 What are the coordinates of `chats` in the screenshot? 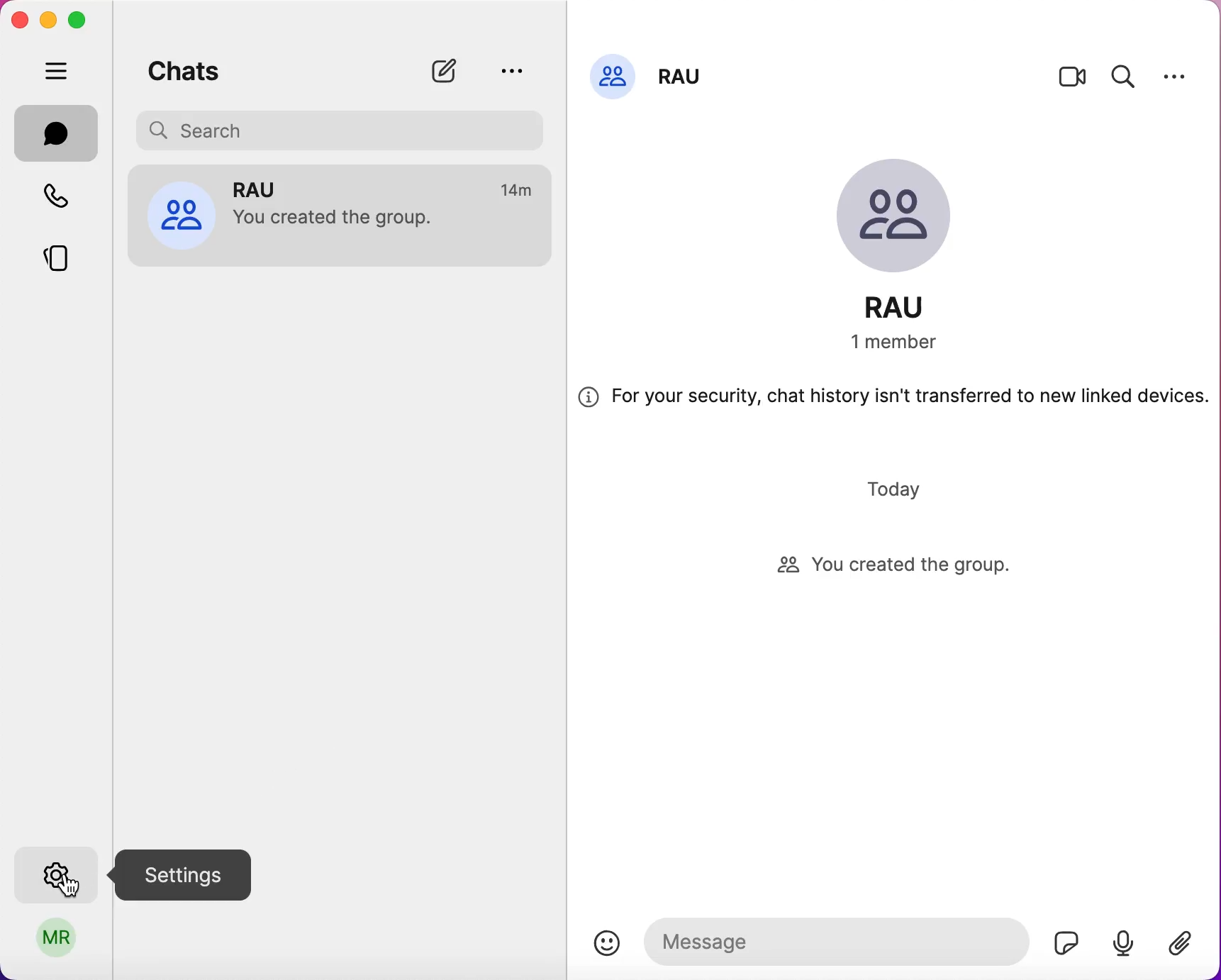 It's located at (53, 130).